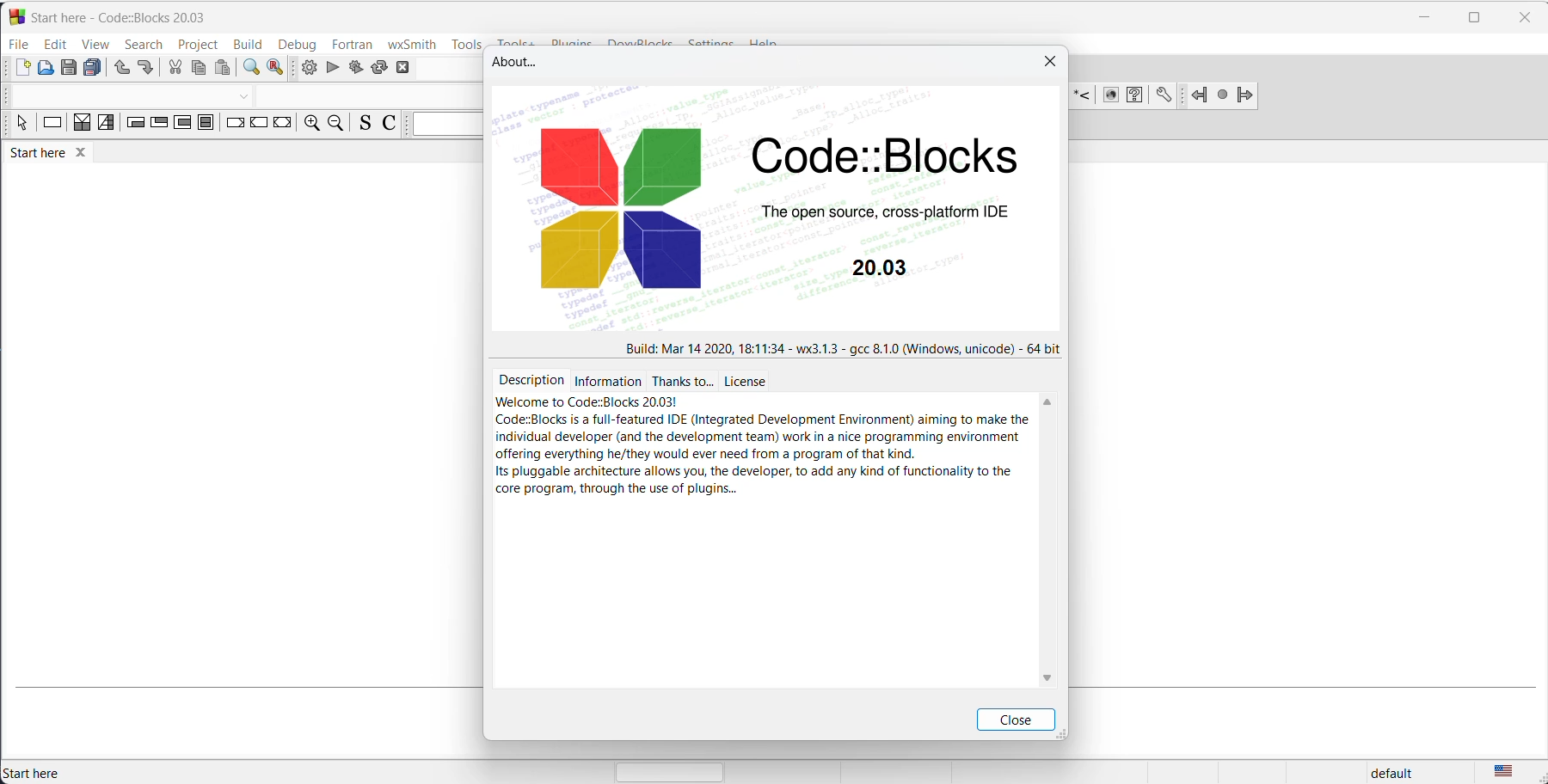  What do you see at coordinates (1058, 535) in the screenshot?
I see `Scroll bar` at bounding box center [1058, 535].